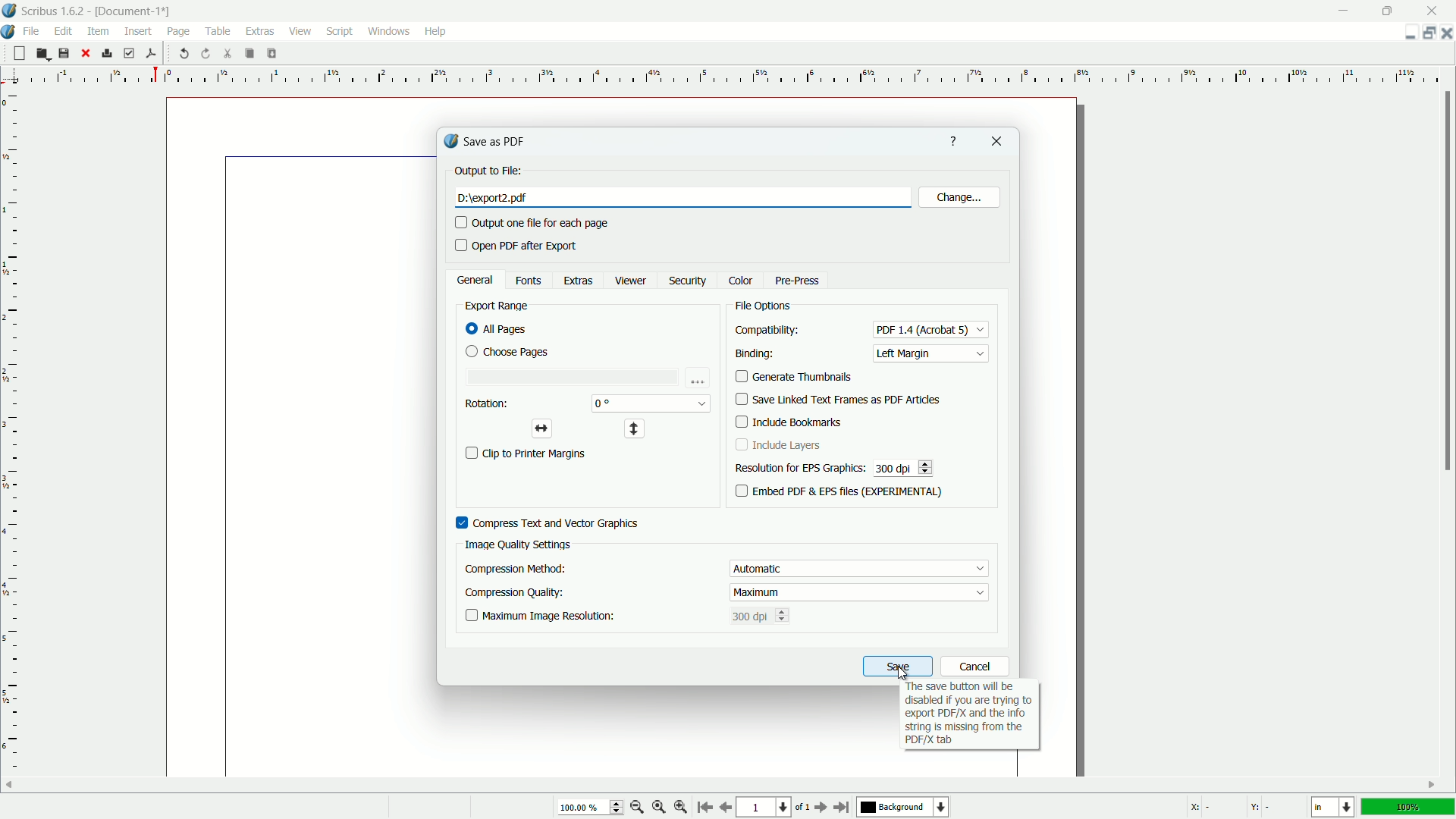 Image resolution: width=1456 pixels, height=819 pixels. I want to click on cut, so click(225, 53).